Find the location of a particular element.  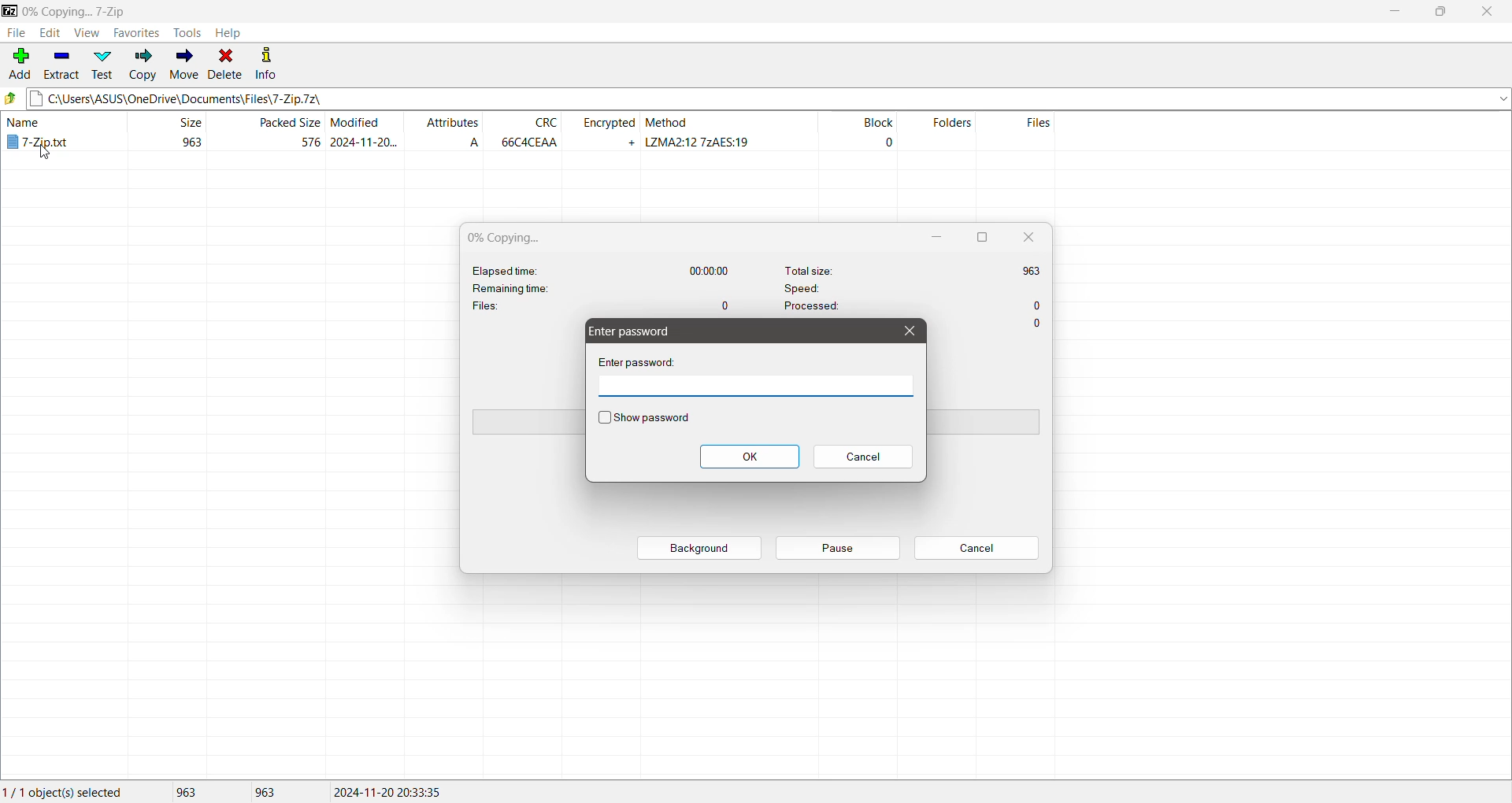

Click to show the typed password is located at coordinates (644, 419).